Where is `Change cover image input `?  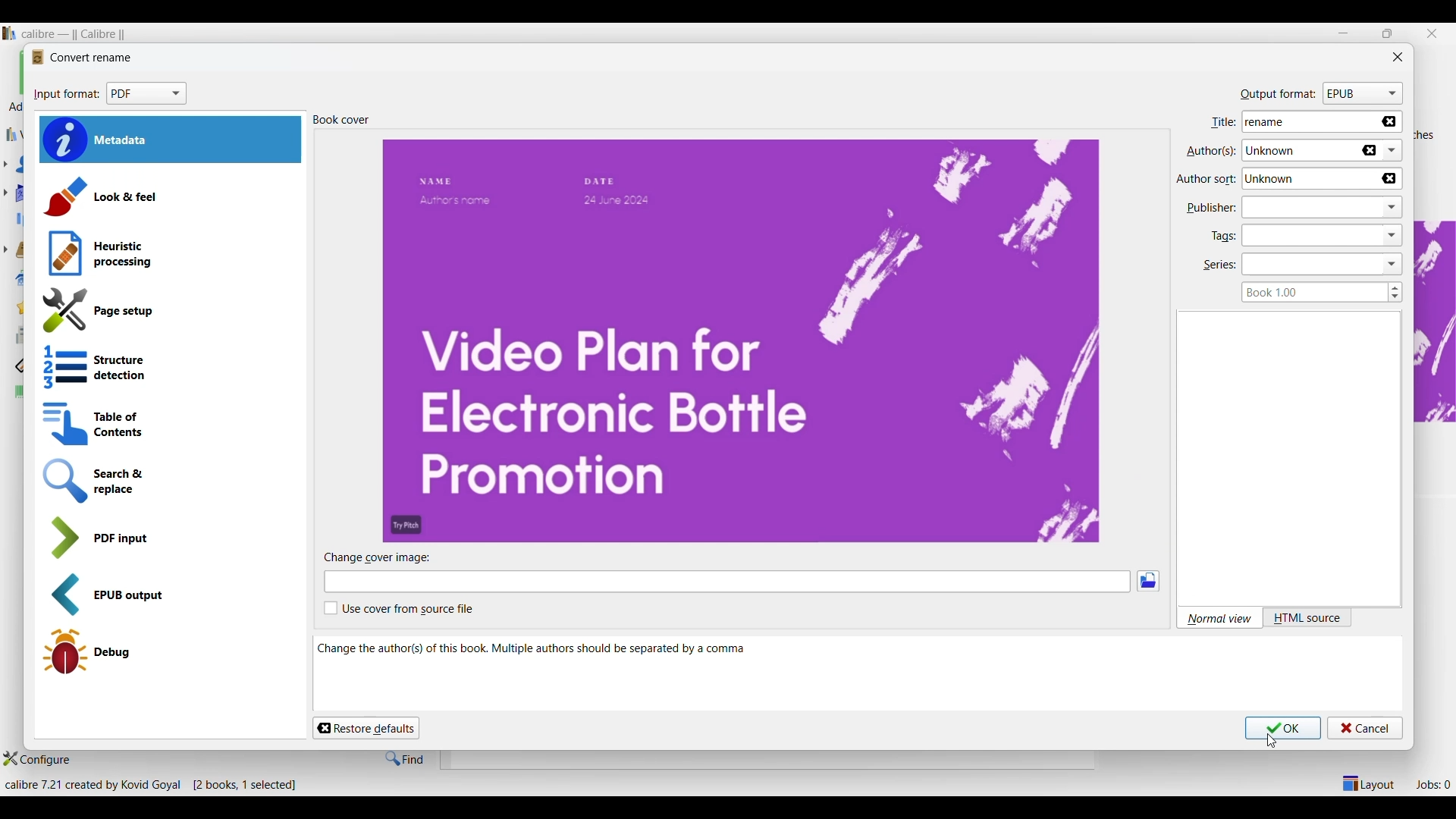
Change cover image input  is located at coordinates (730, 581).